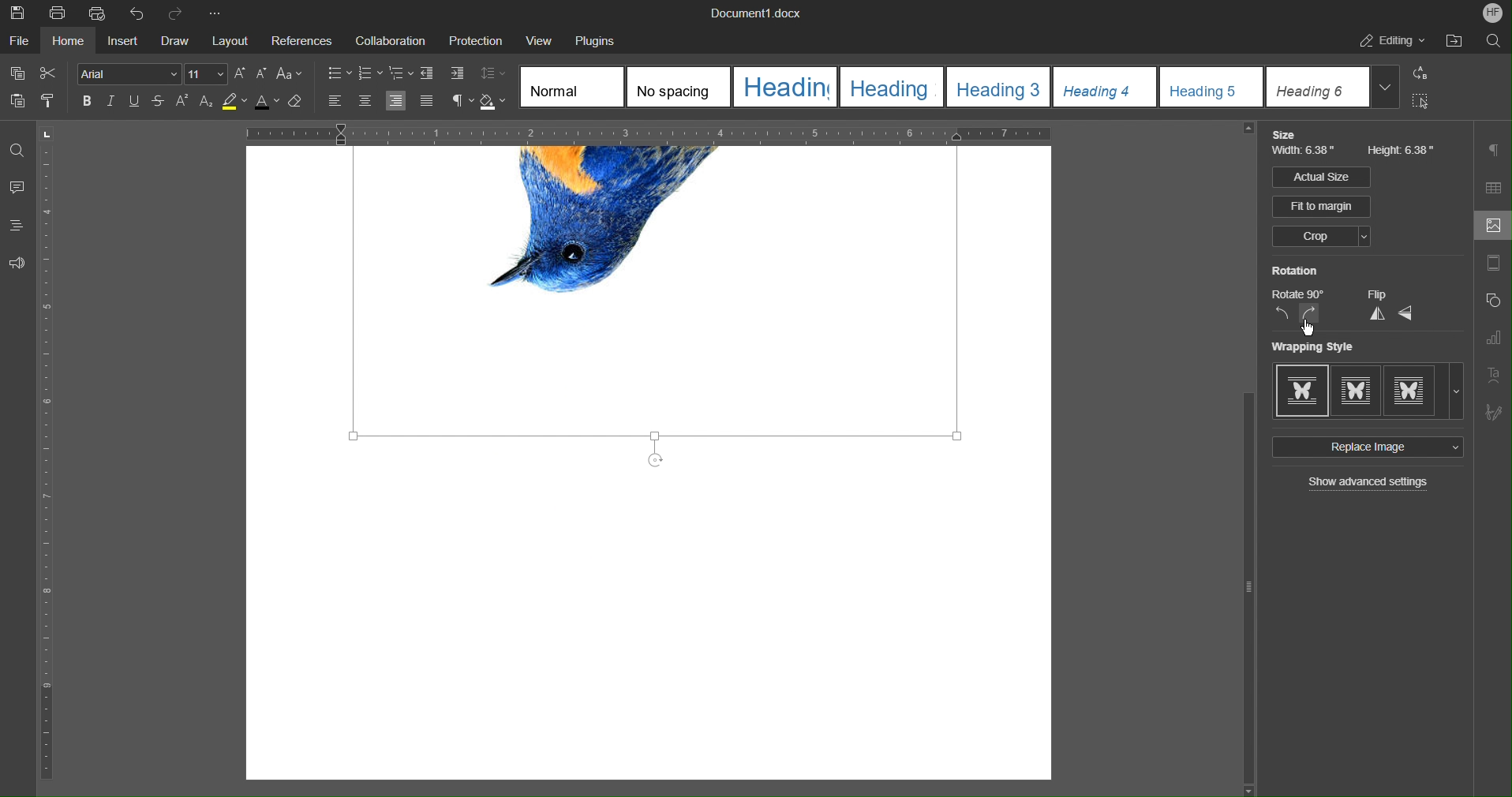 This screenshot has width=1512, height=797. What do you see at coordinates (370, 74) in the screenshot?
I see `Numbered List` at bounding box center [370, 74].